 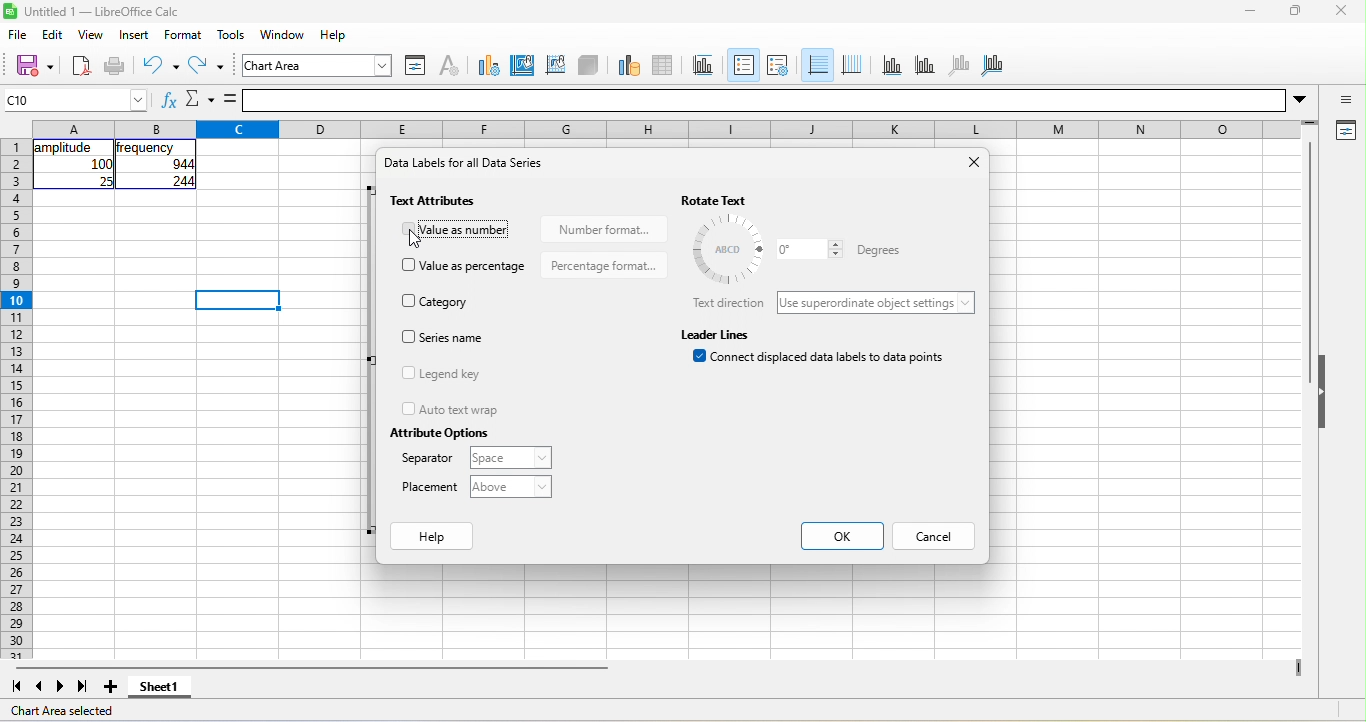 I want to click on placement, so click(x=431, y=488).